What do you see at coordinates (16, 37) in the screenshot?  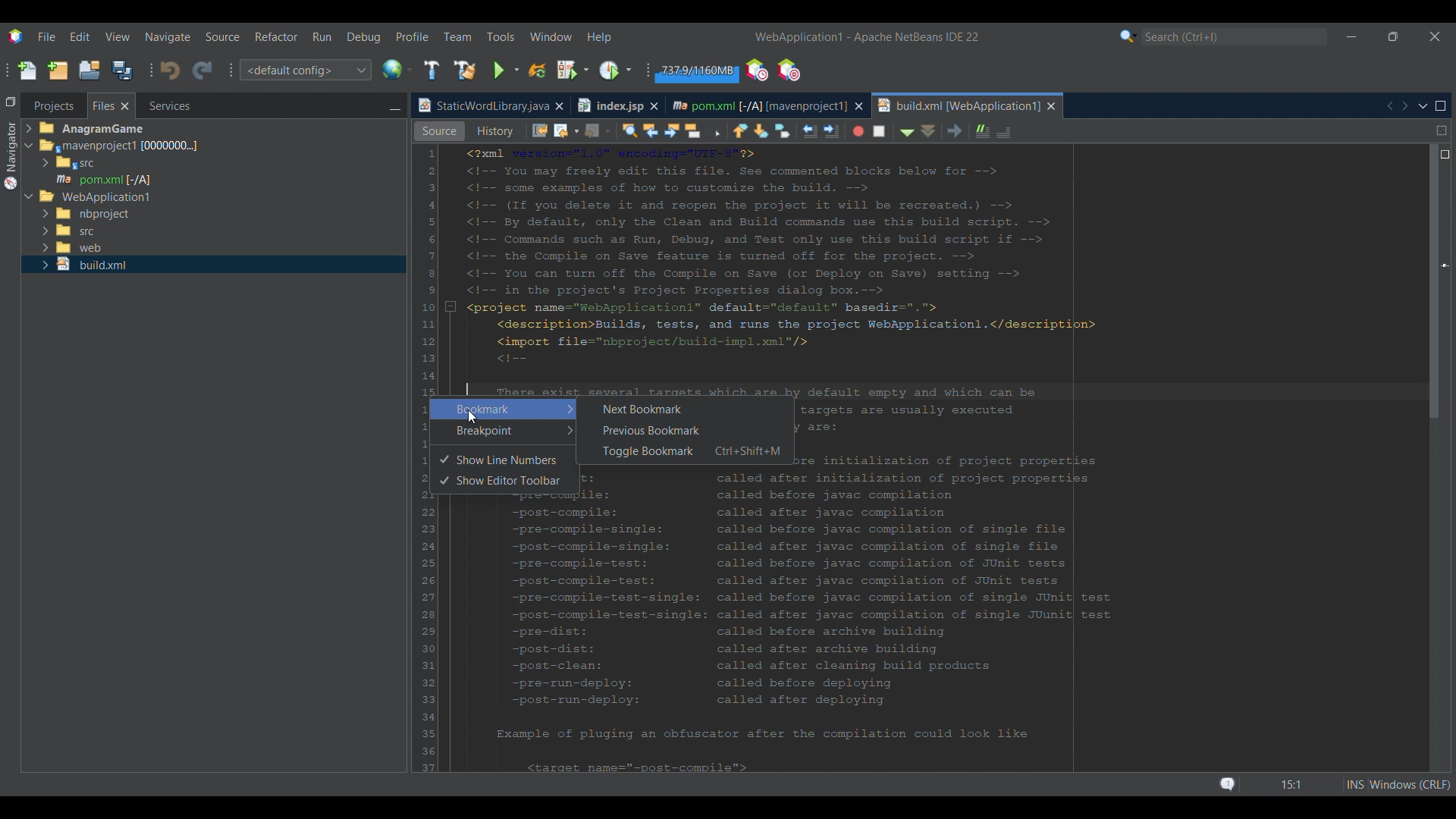 I see `Software logo` at bounding box center [16, 37].